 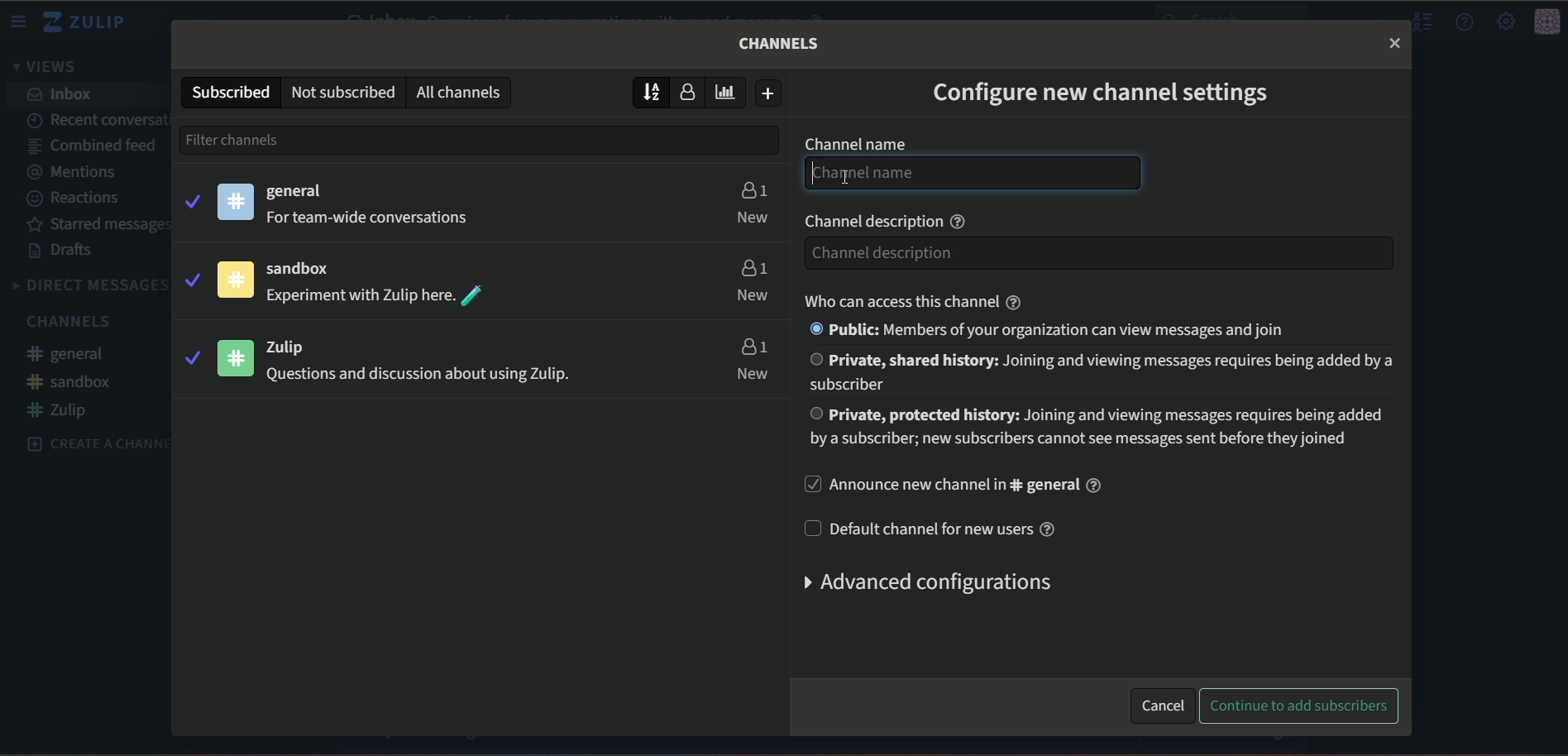 What do you see at coordinates (229, 91) in the screenshot?
I see `subscribed` at bounding box center [229, 91].